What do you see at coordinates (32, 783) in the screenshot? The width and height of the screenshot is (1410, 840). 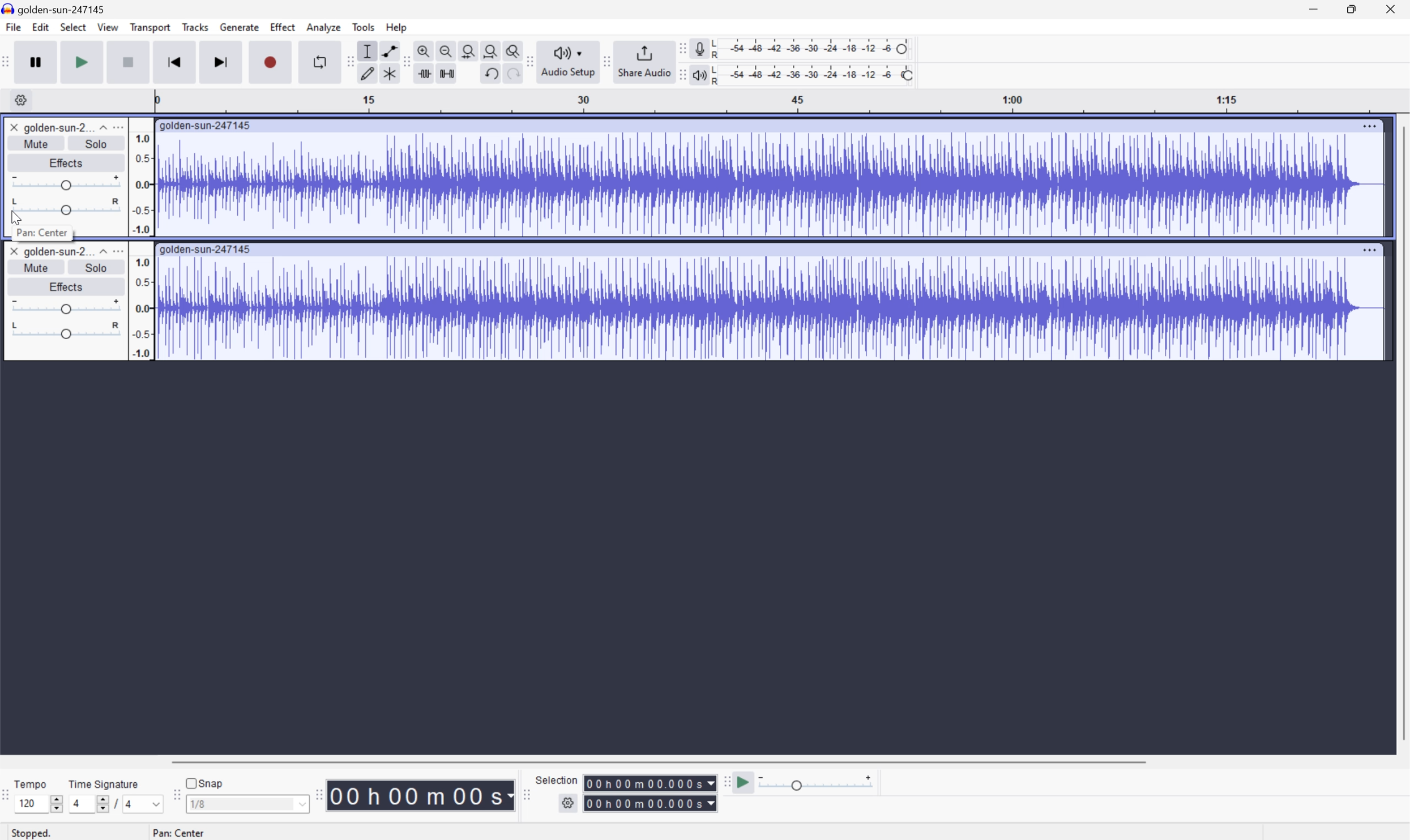 I see `Tempo` at bounding box center [32, 783].